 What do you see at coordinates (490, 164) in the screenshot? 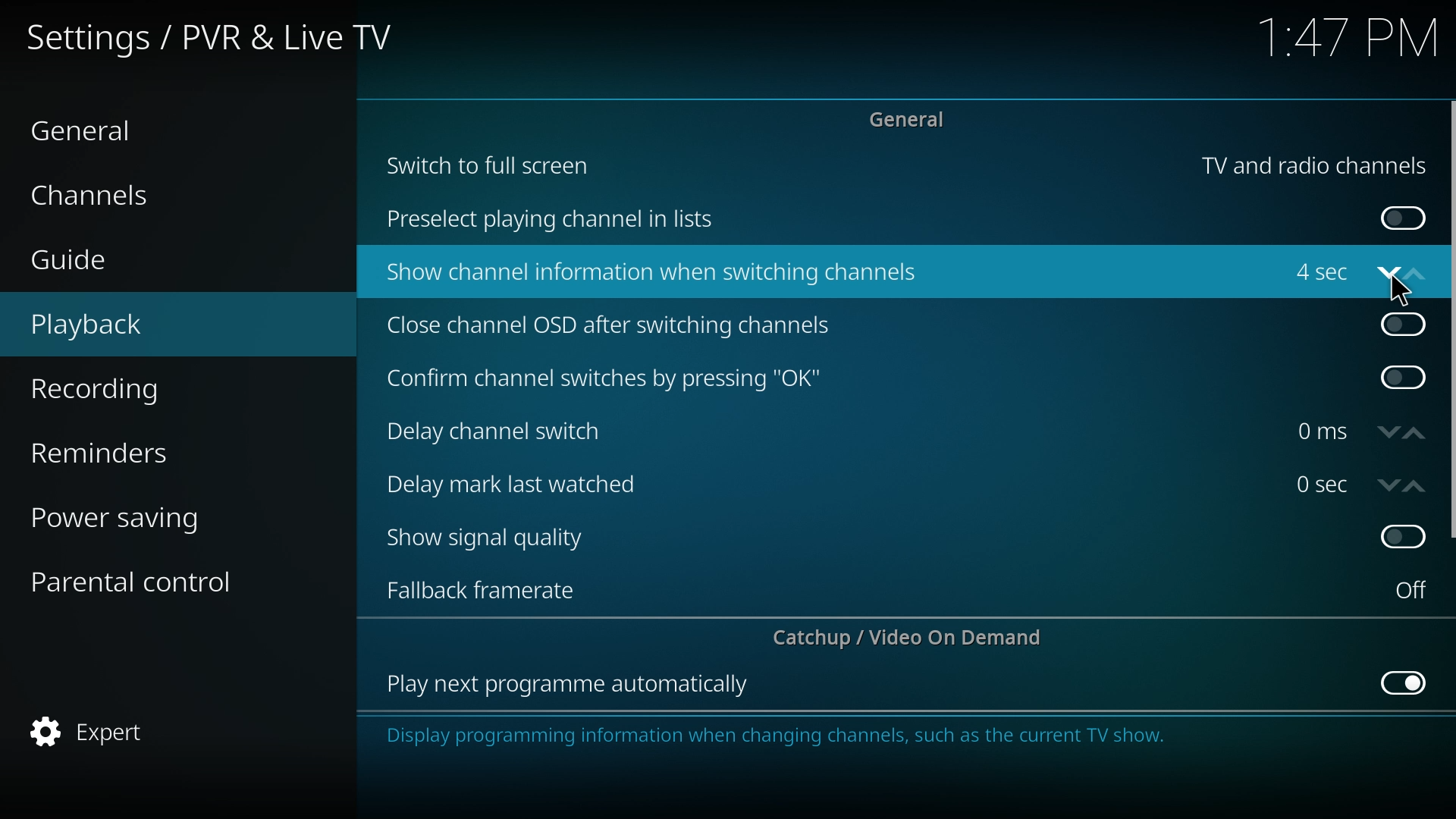
I see `switch to full screen` at bounding box center [490, 164].